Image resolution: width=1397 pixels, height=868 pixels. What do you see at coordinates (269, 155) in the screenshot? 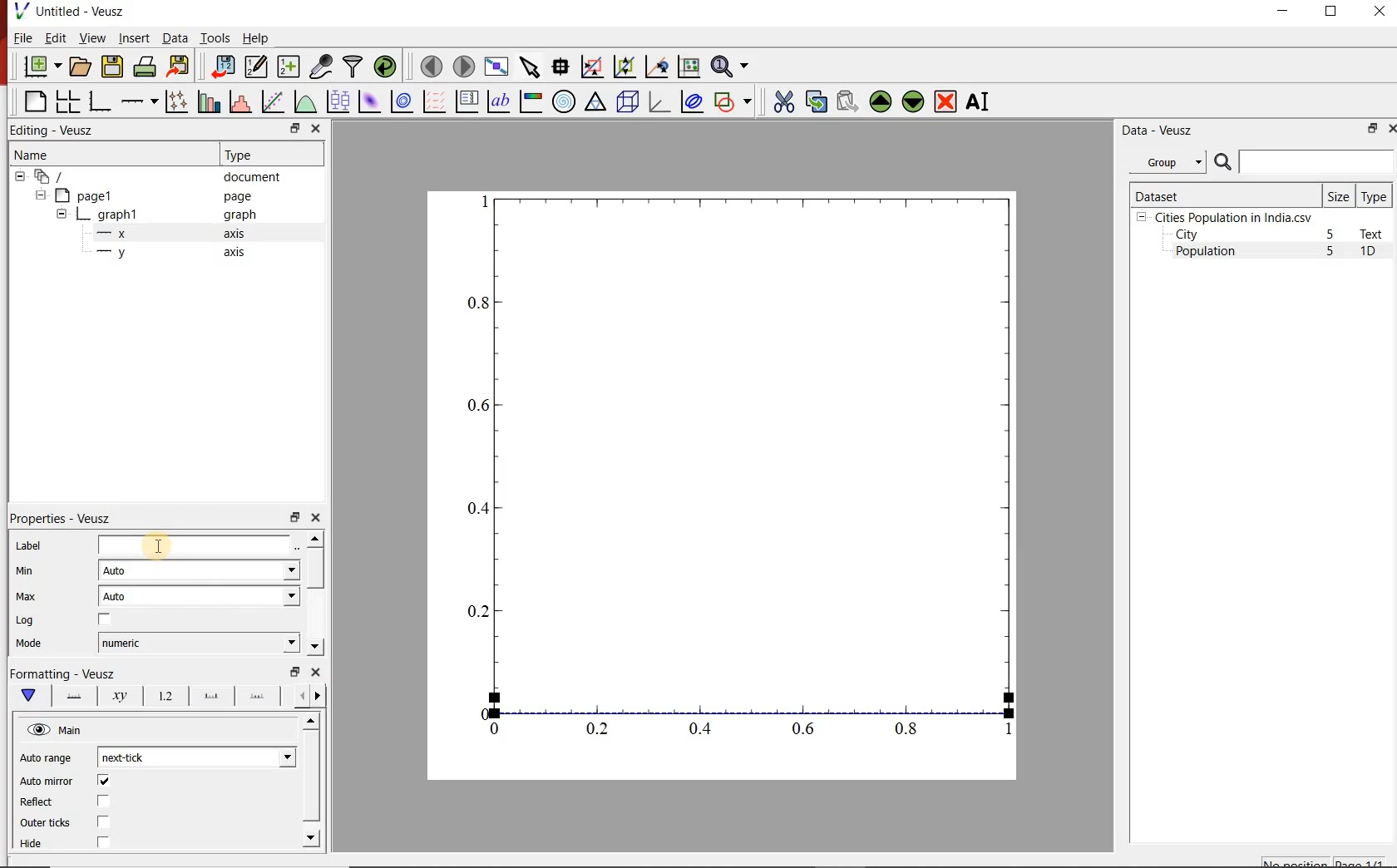
I see `Type` at bounding box center [269, 155].